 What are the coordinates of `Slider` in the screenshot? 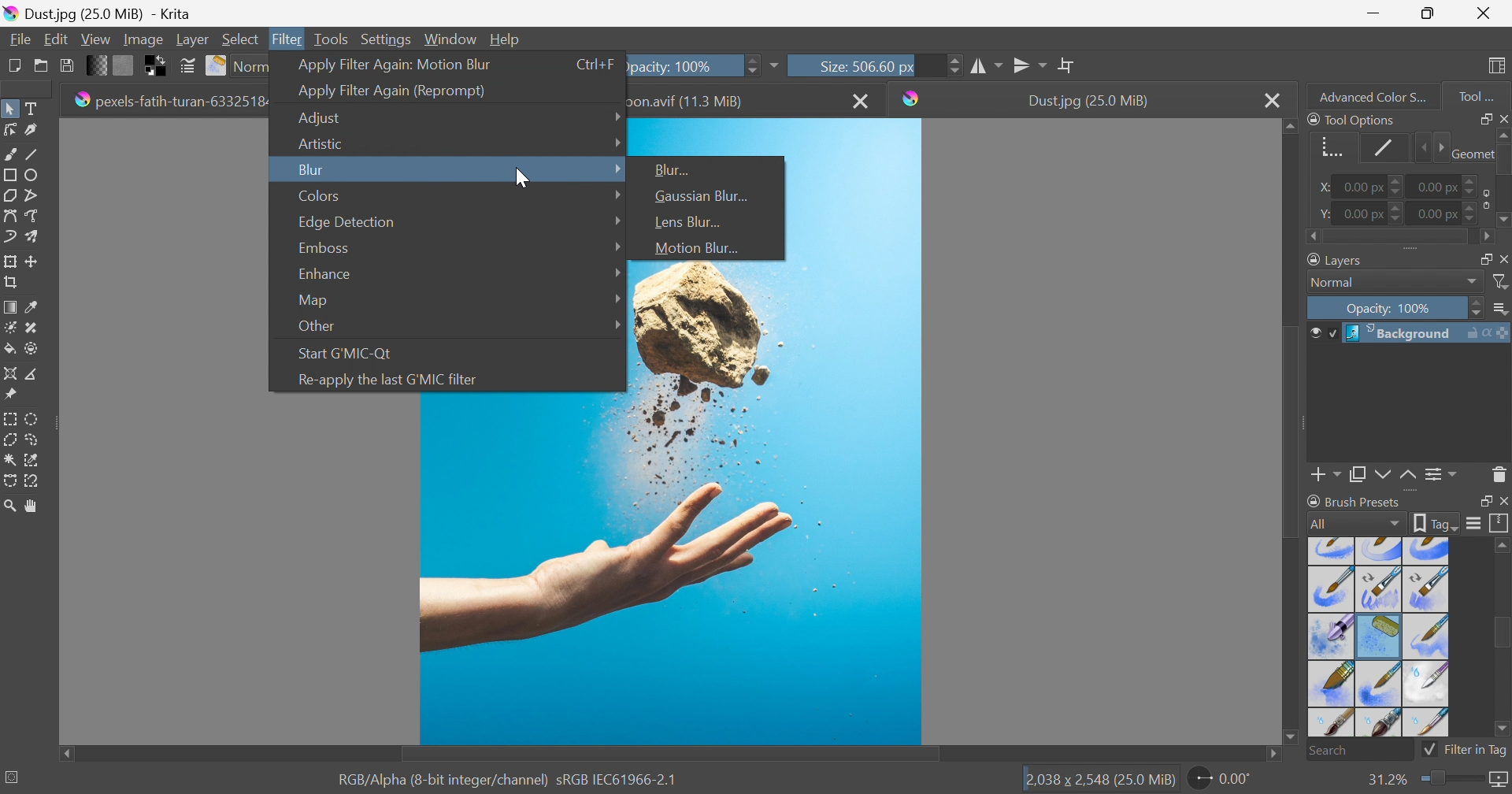 It's located at (1472, 181).